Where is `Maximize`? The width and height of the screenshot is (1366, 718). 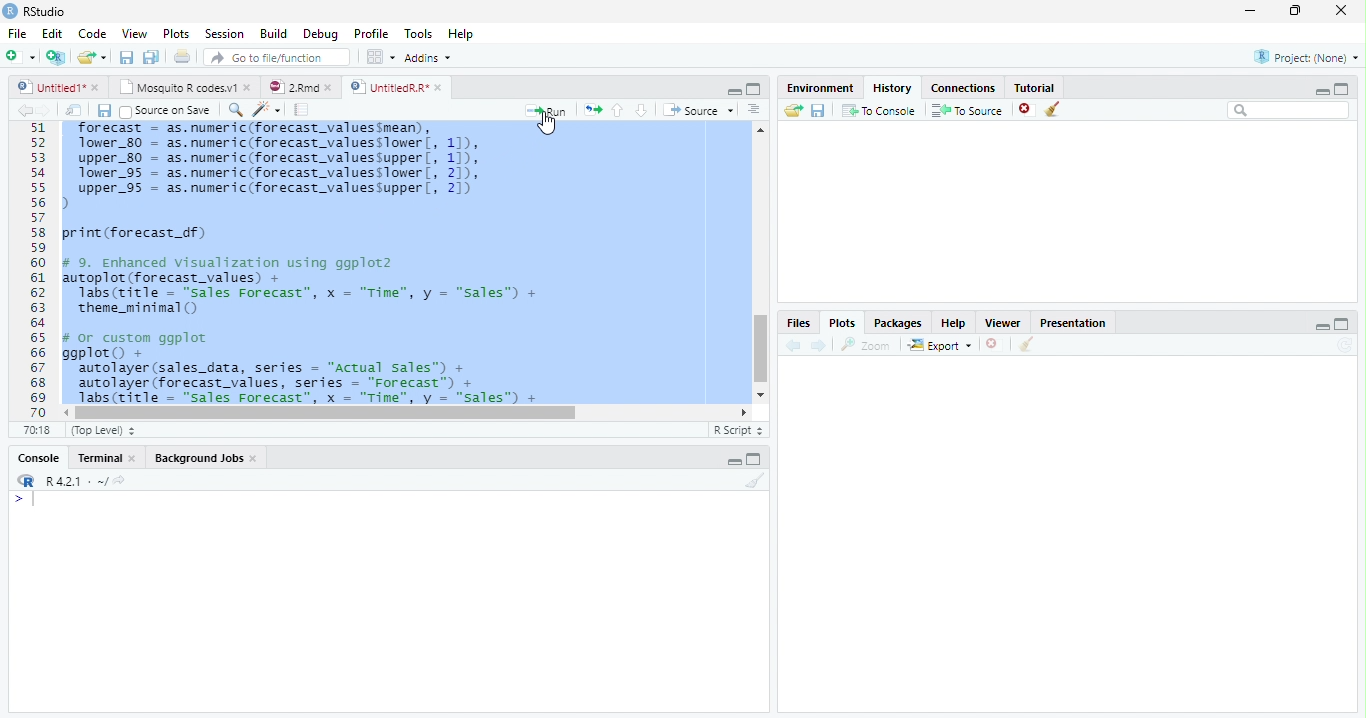 Maximize is located at coordinates (1342, 325).